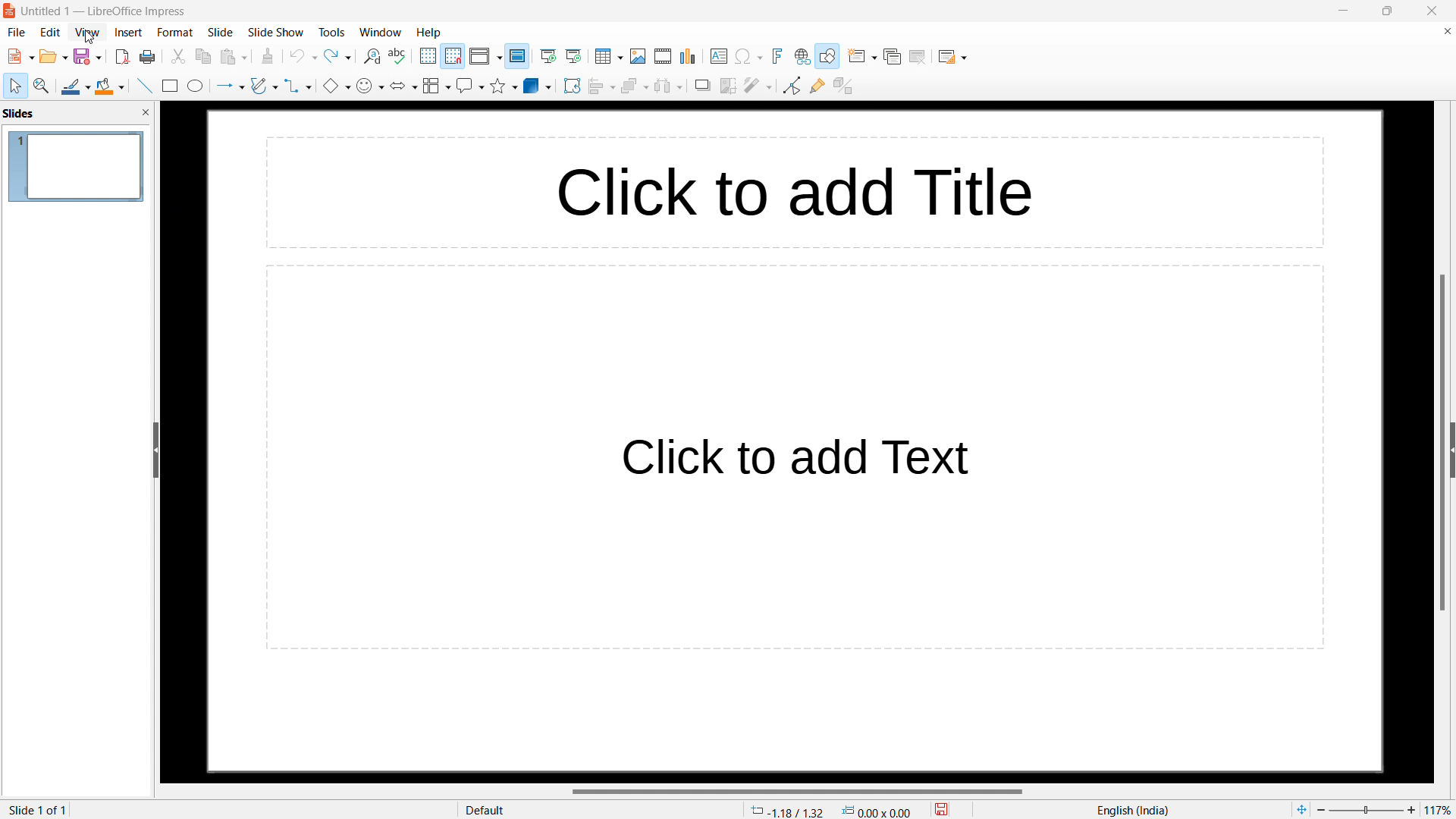 The width and height of the screenshot is (1456, 819). I want to click on select at least three objects to distribute, so click(669, 86).